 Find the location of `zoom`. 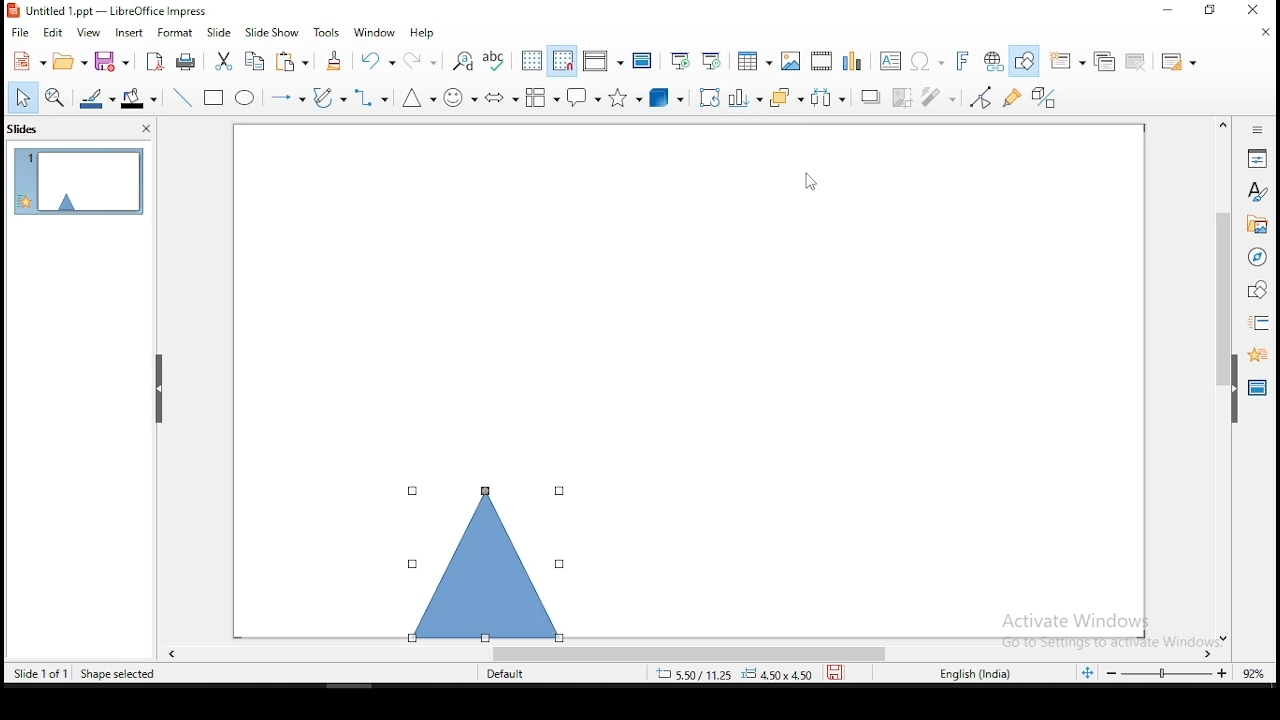

zoom is located at coordinates (1192, 678).